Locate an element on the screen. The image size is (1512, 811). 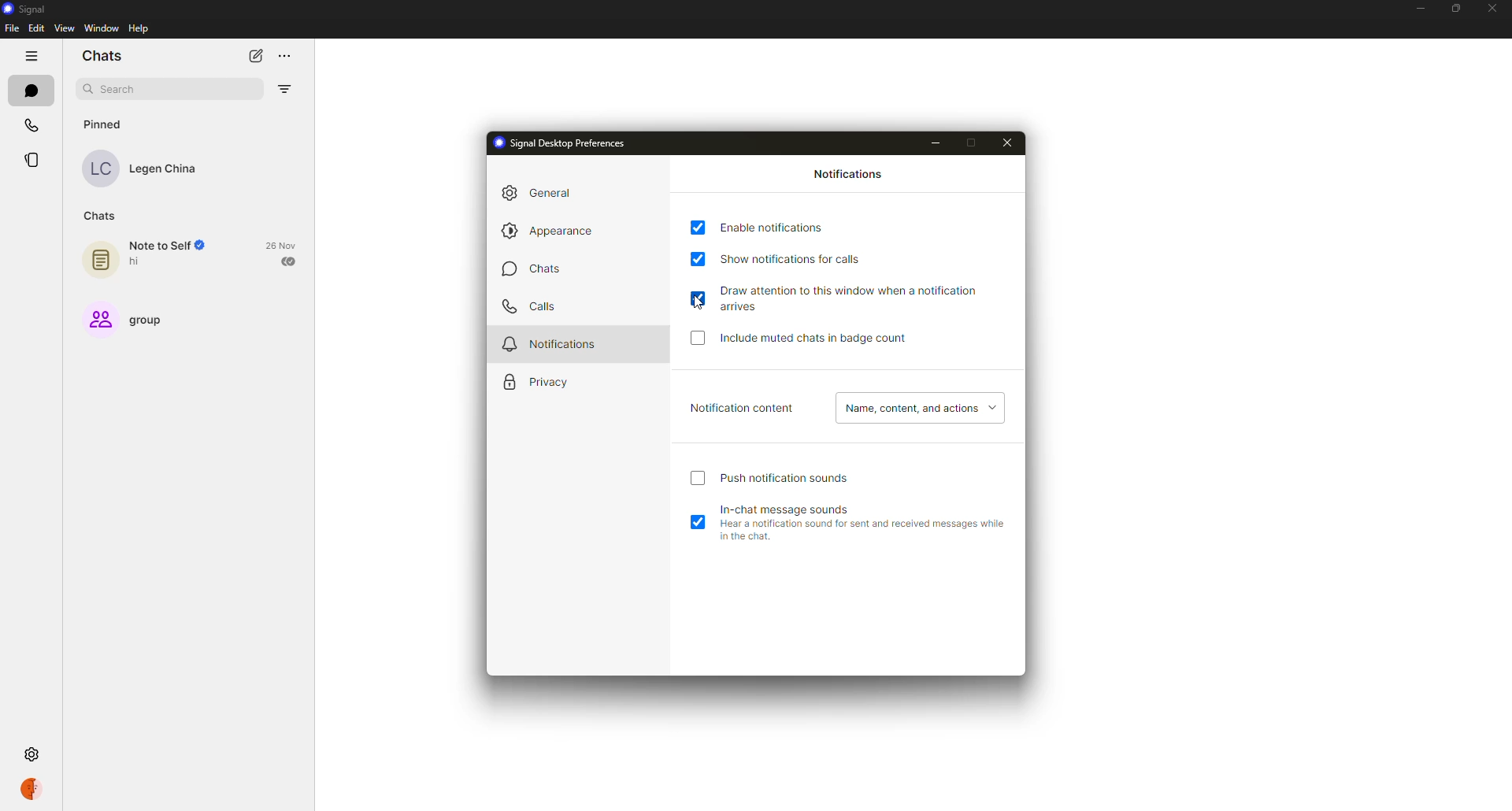
close is located at coordinates (1491, 8).